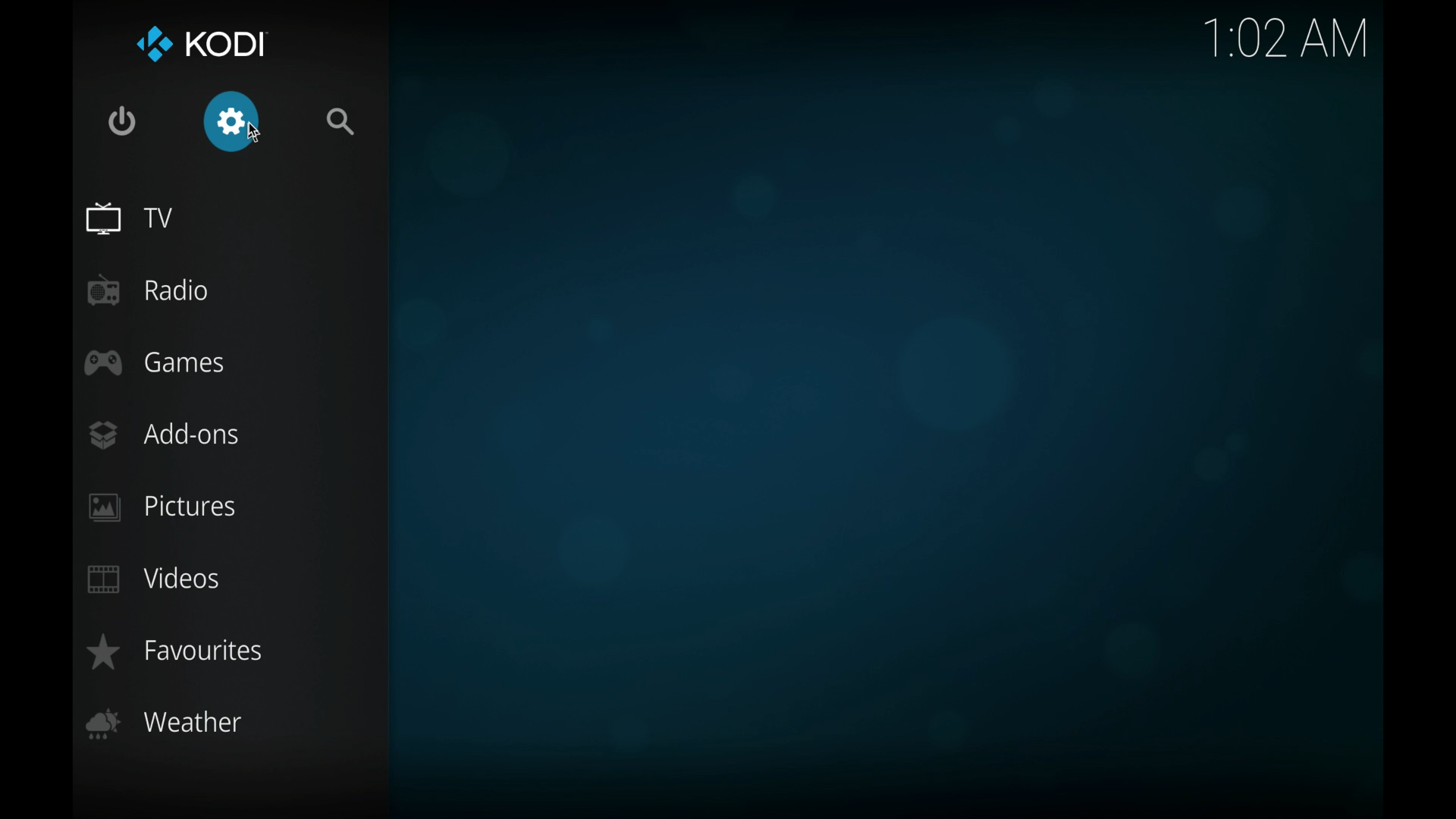 This screenshot has height=819, width=1456. What do you see at coordinates (154, 579) in the screenshot?
I see `videos` at bounding box center [154, 579].